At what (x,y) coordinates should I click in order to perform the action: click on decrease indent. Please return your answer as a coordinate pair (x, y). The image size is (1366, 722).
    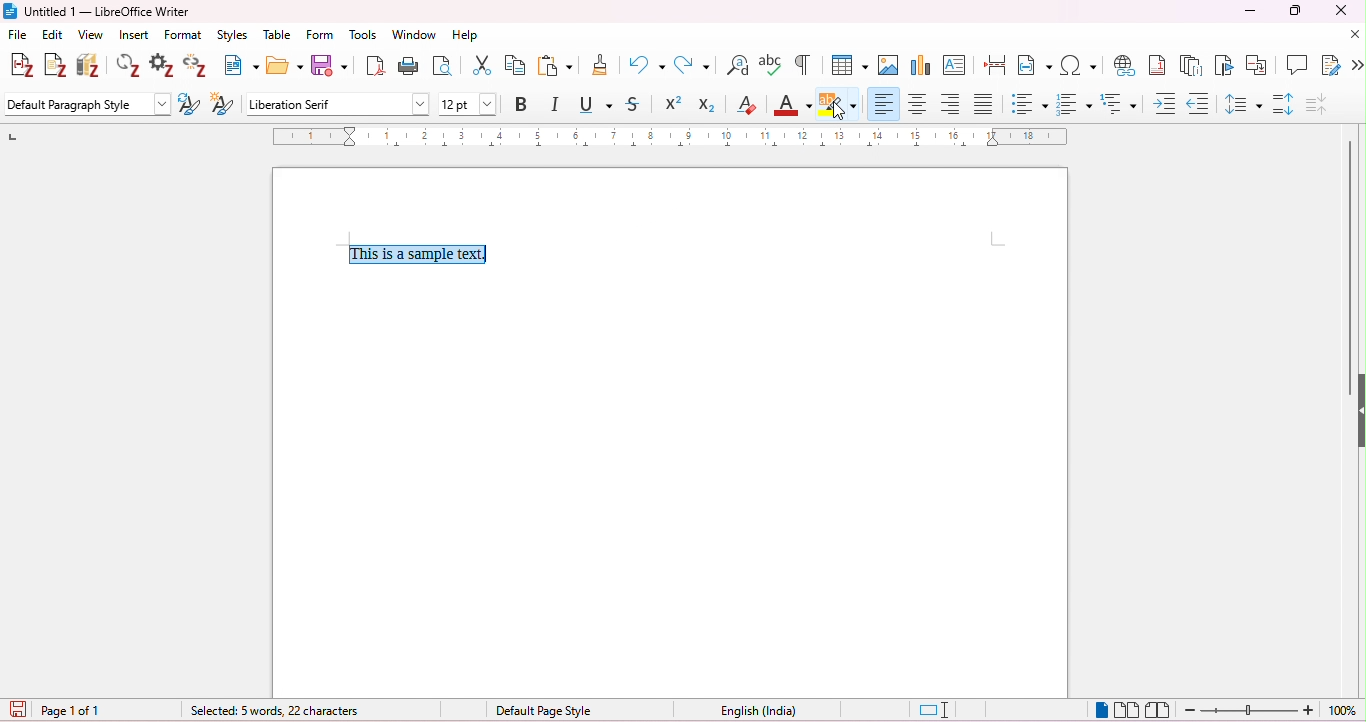
    Looking at the image, I should click on (1200, 104).